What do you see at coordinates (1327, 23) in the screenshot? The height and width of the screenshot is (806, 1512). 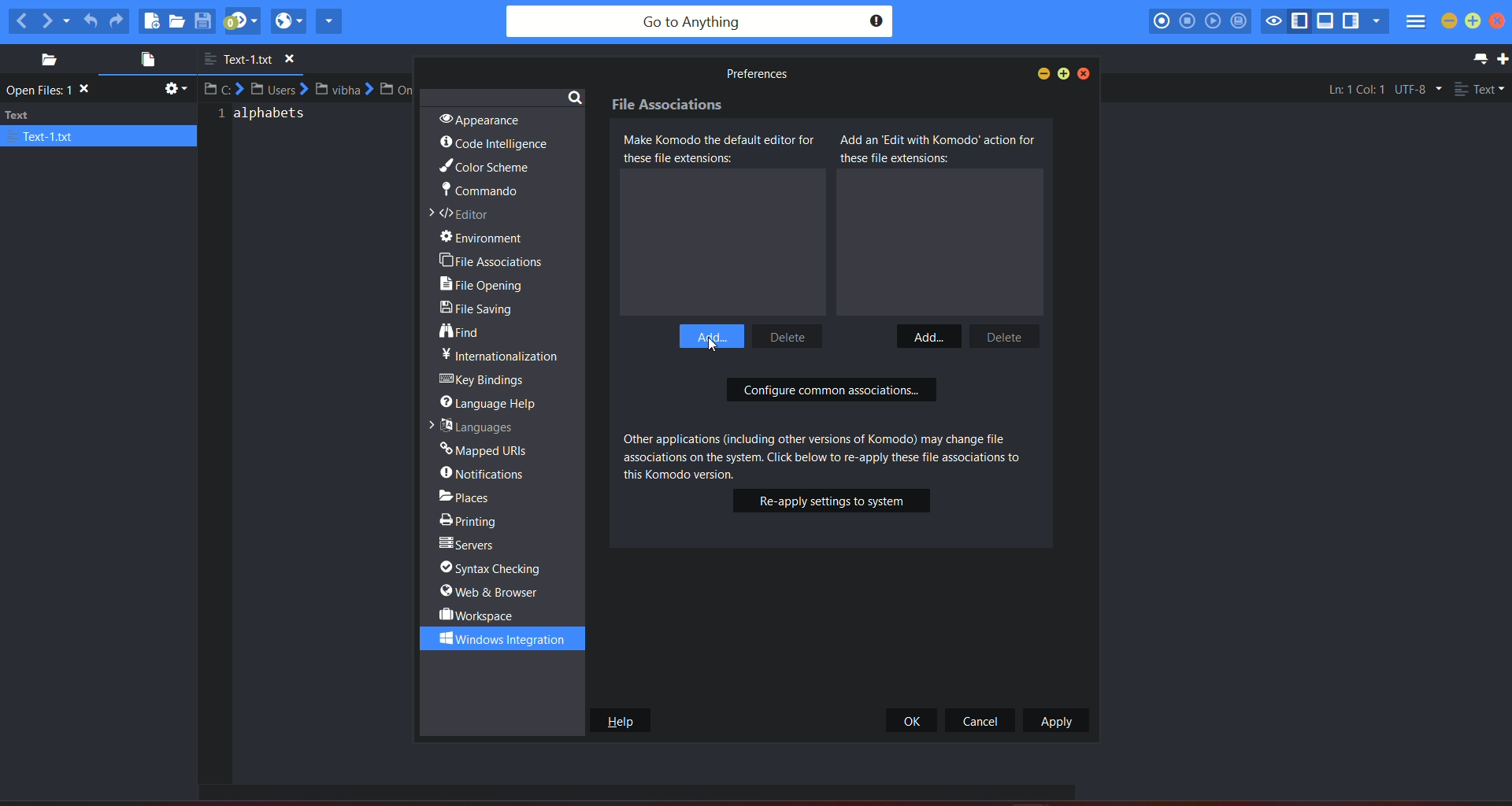 I see `show/hide bottom pane` at bounding box center [1327, 23].